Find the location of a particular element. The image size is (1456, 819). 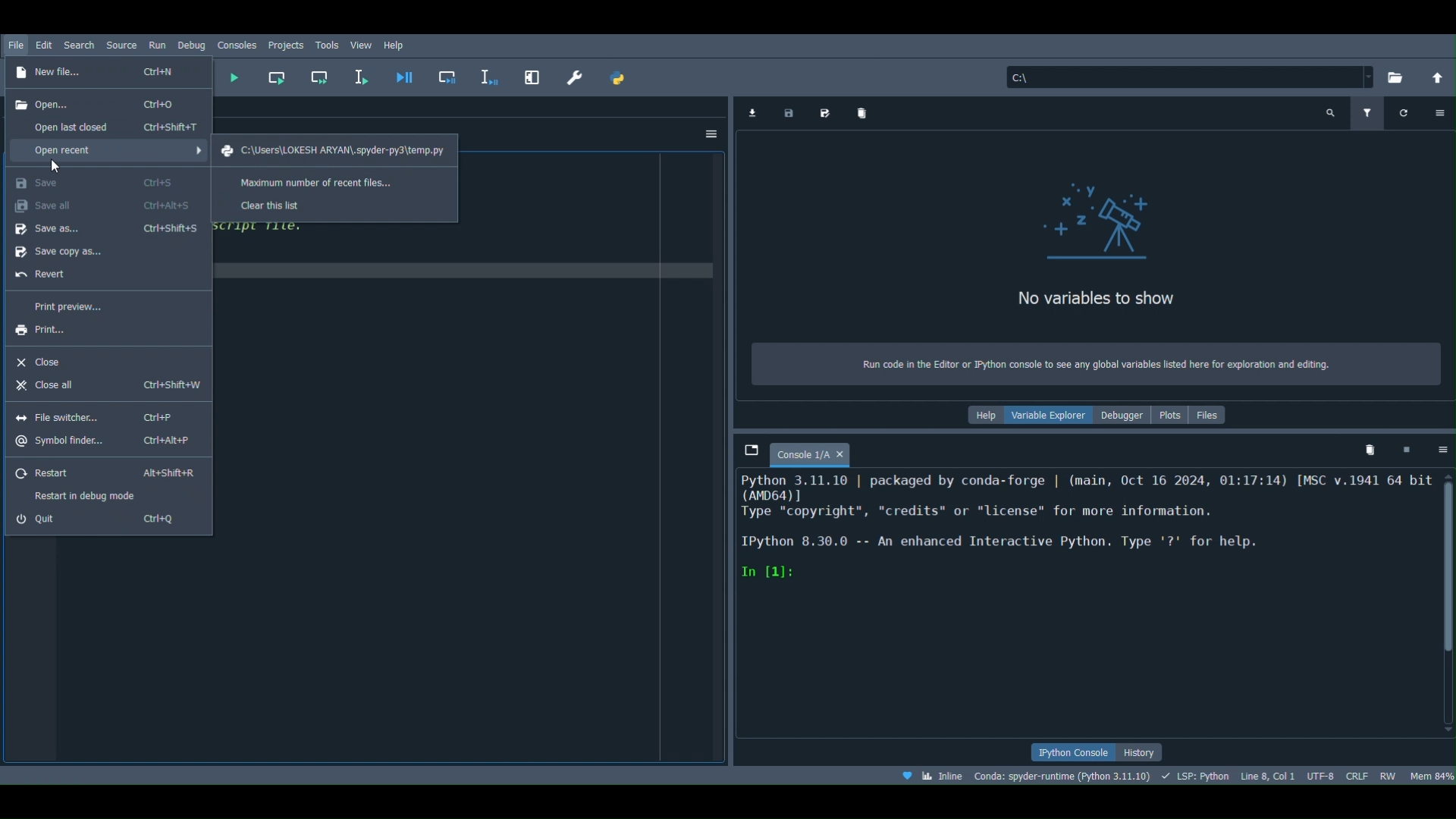

Help is located at coordinates (401, 42).